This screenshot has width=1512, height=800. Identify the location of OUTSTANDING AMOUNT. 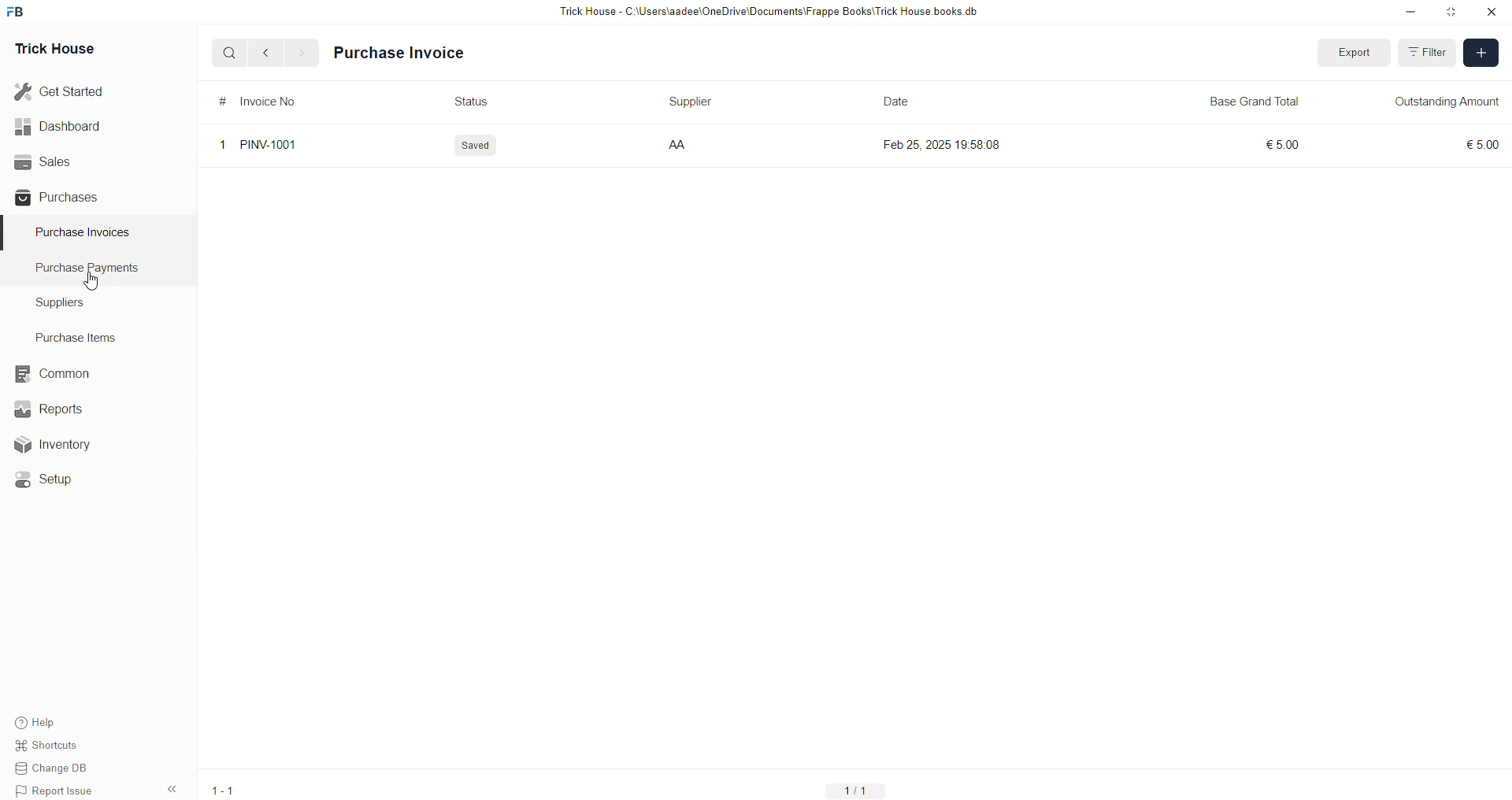
(1443, 98).